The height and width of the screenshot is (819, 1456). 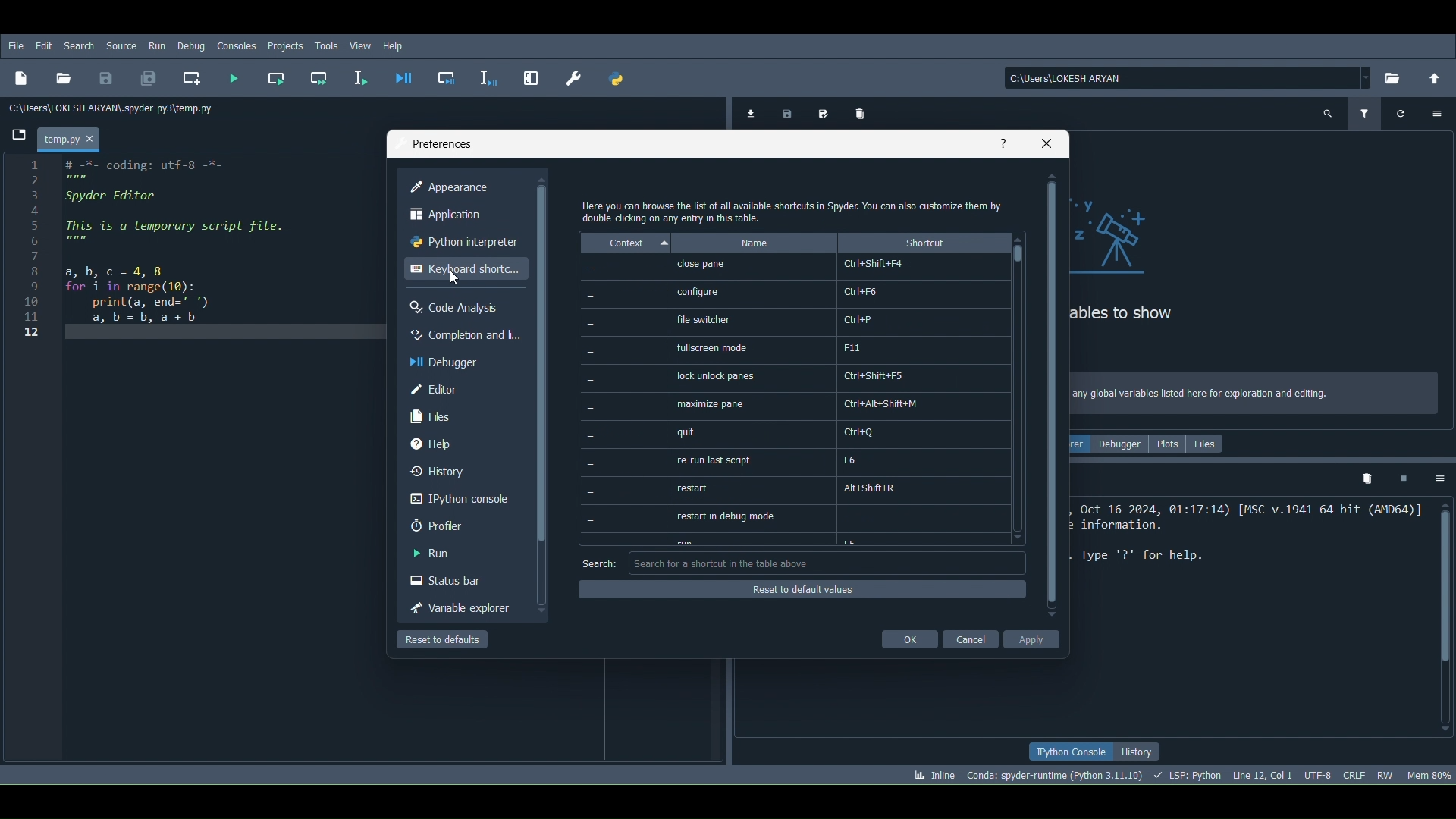 What do you see at coordinates (449, 639) in the screenshot?
I see `Reset to defaults` at bounding box center [449, 639].